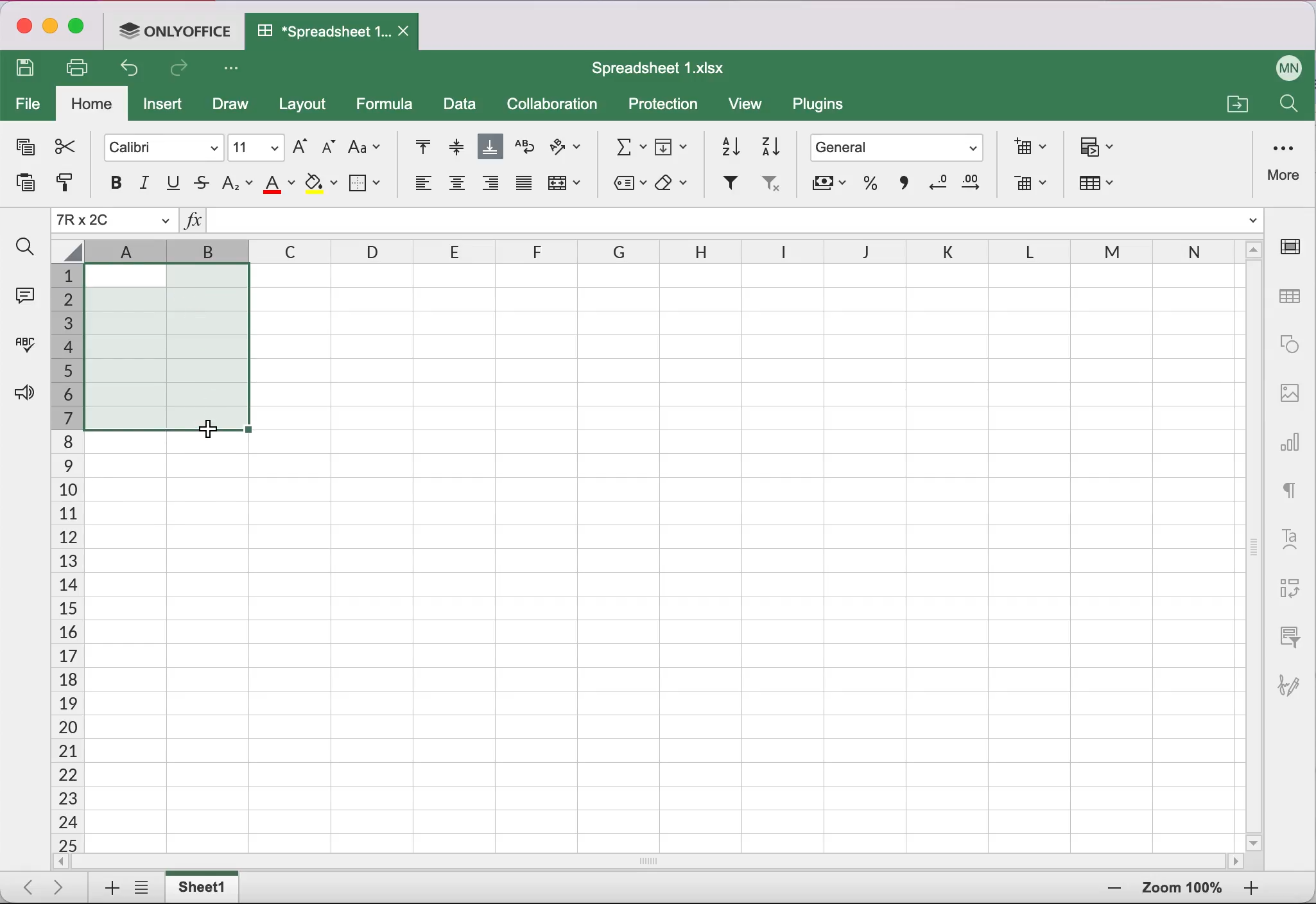 This screenshot has height=904, width=1316. What do you see at coordinates (627, 185) in the screenshot?
I see `named ranges` at bounding box center [627, 185].